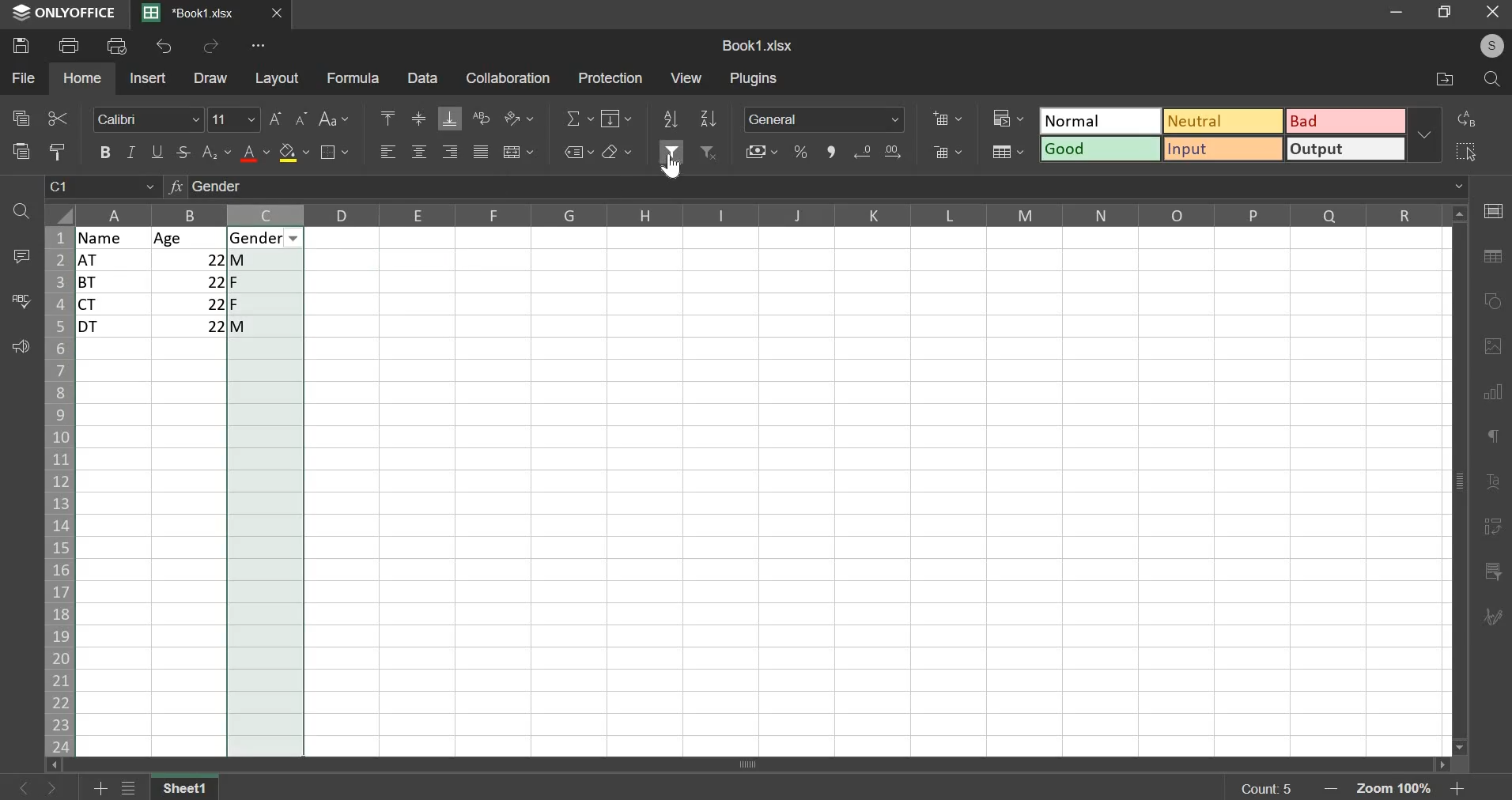 Image resolution: width=1512 pixels, height=800 pixels. What do you see at coordinates (266, 281) in the screenshot?
I see `F` at bounding box center [266, 281].